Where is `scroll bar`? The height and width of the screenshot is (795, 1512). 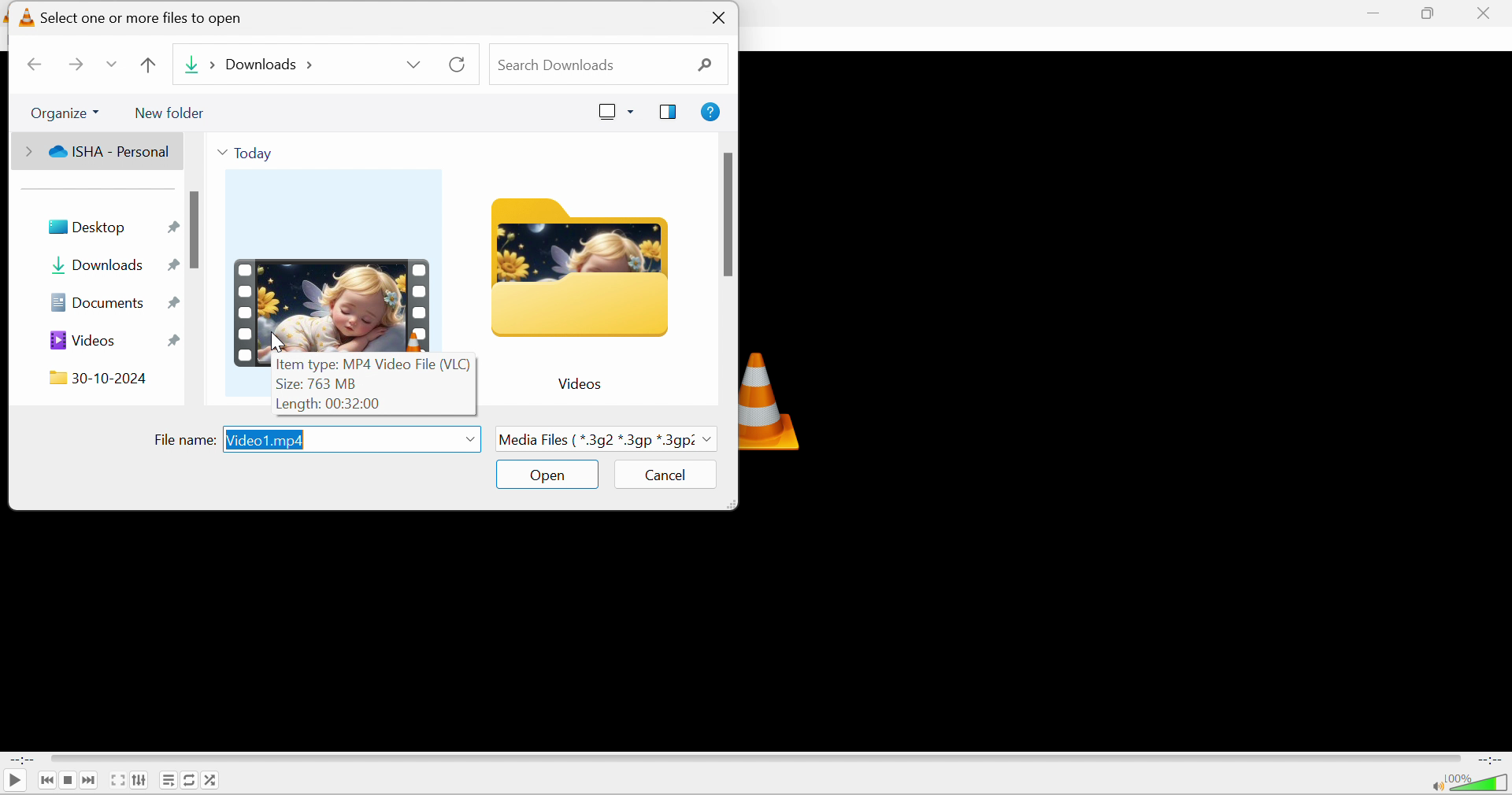
scroll bar is located at coordinates (198, 229).